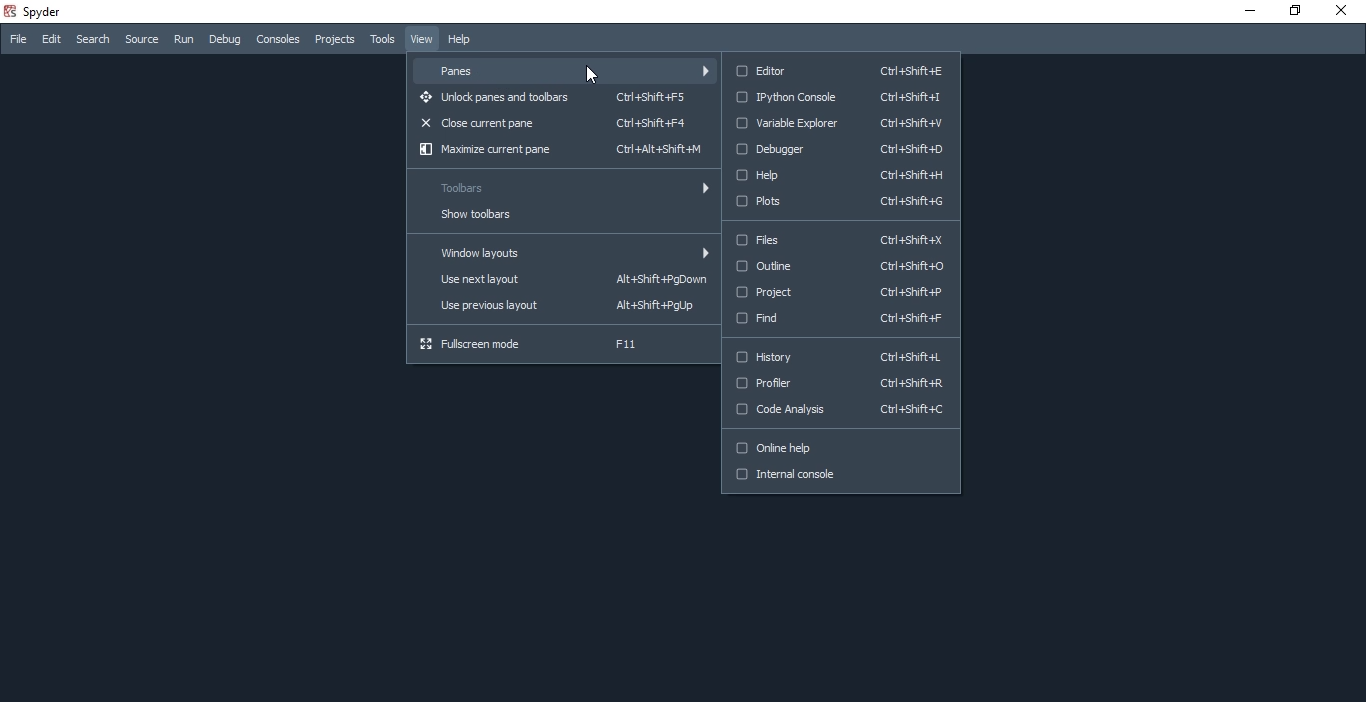  Describe the element at coordinates (333, 39) in the screenshot. I see `Projects` at that location.